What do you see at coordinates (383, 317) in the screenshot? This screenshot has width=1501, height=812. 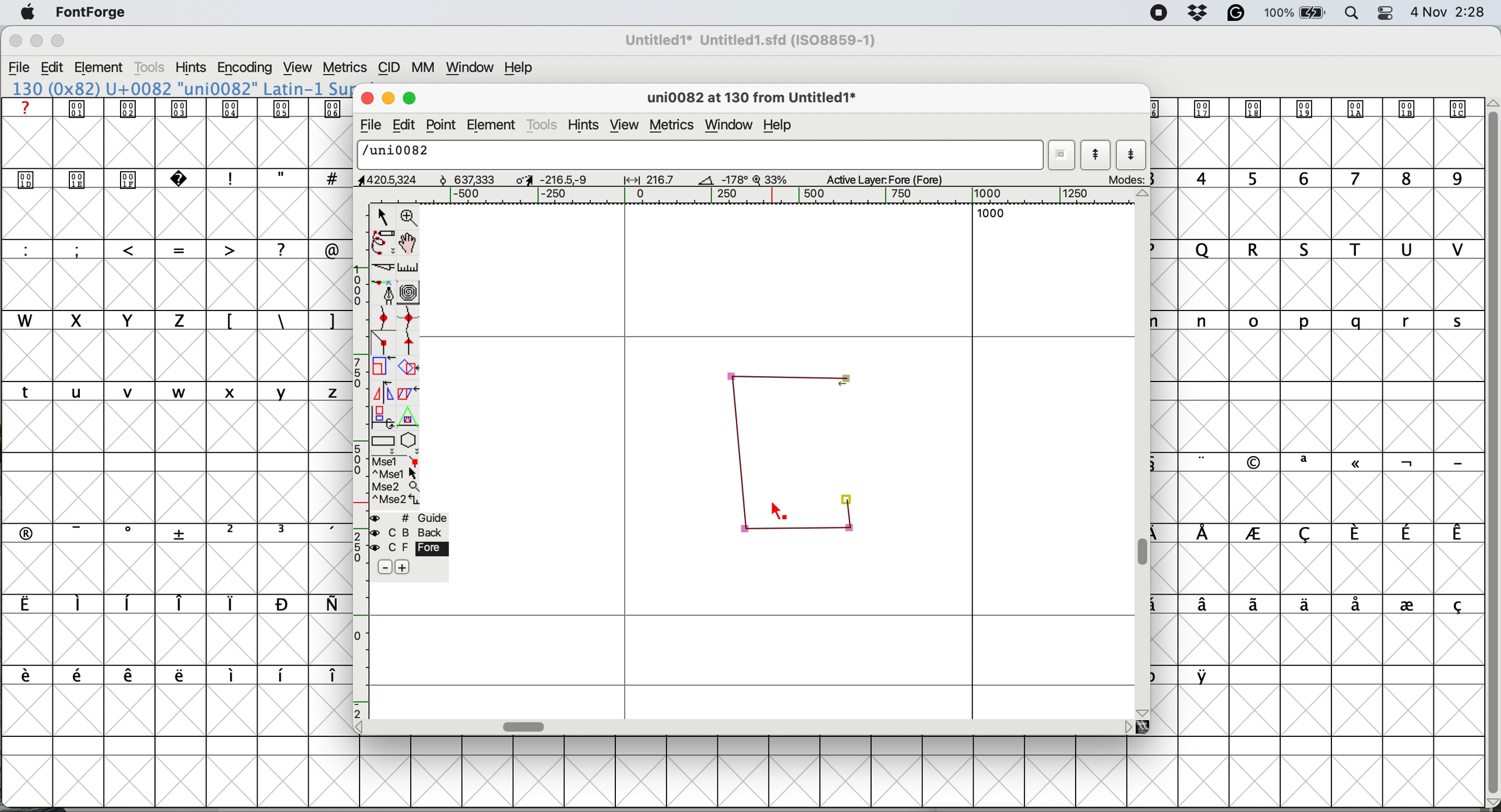 I see `add a curve point` at bounding box center [383, 317].